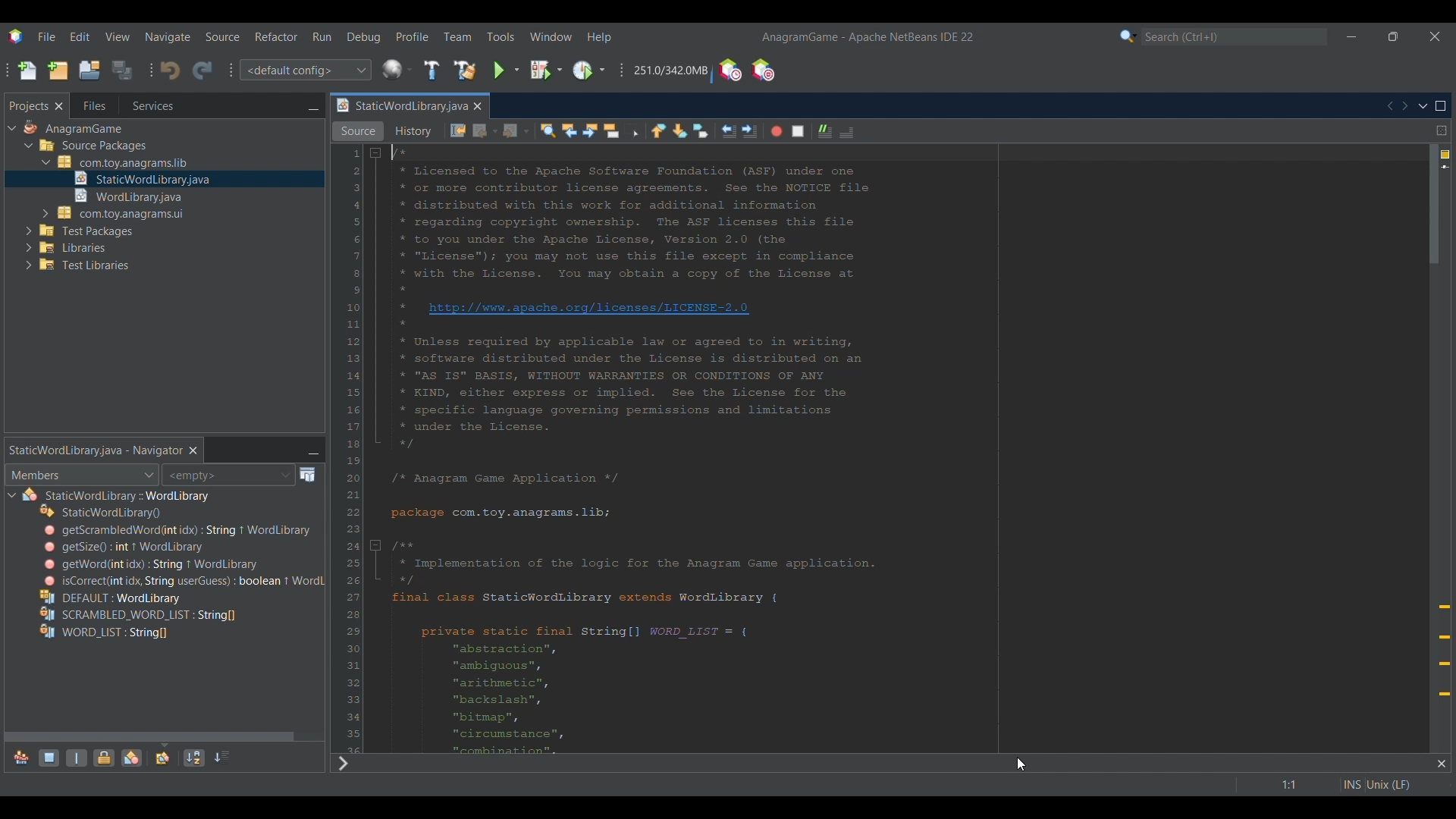 This screenshot has height=819, width=1456. I want to click on Close current selection, so click(193, 451).